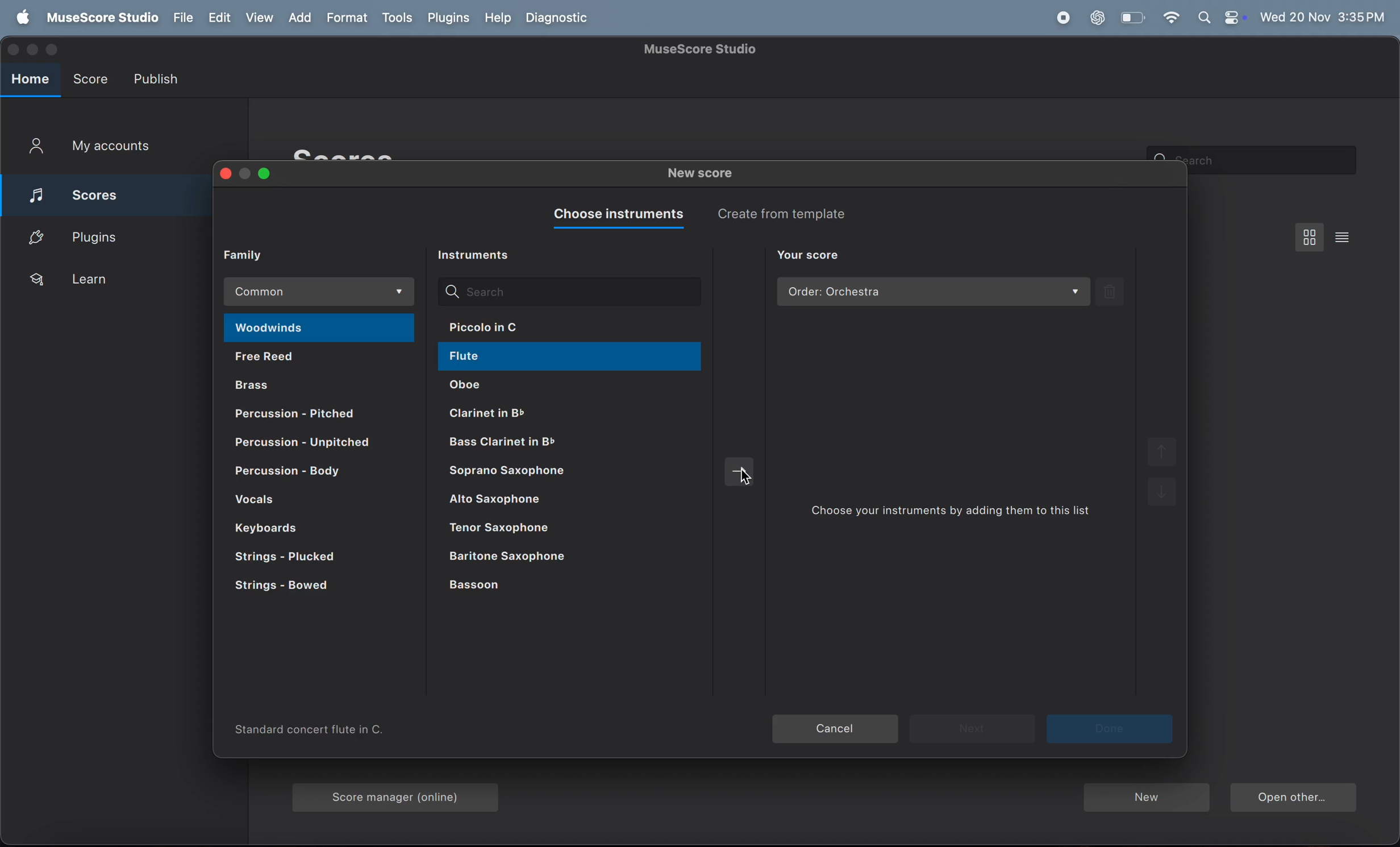  What do you see at coordinates (1346, 236) in the screenshot?
I see `list view` at bounding box center [1346, 236].